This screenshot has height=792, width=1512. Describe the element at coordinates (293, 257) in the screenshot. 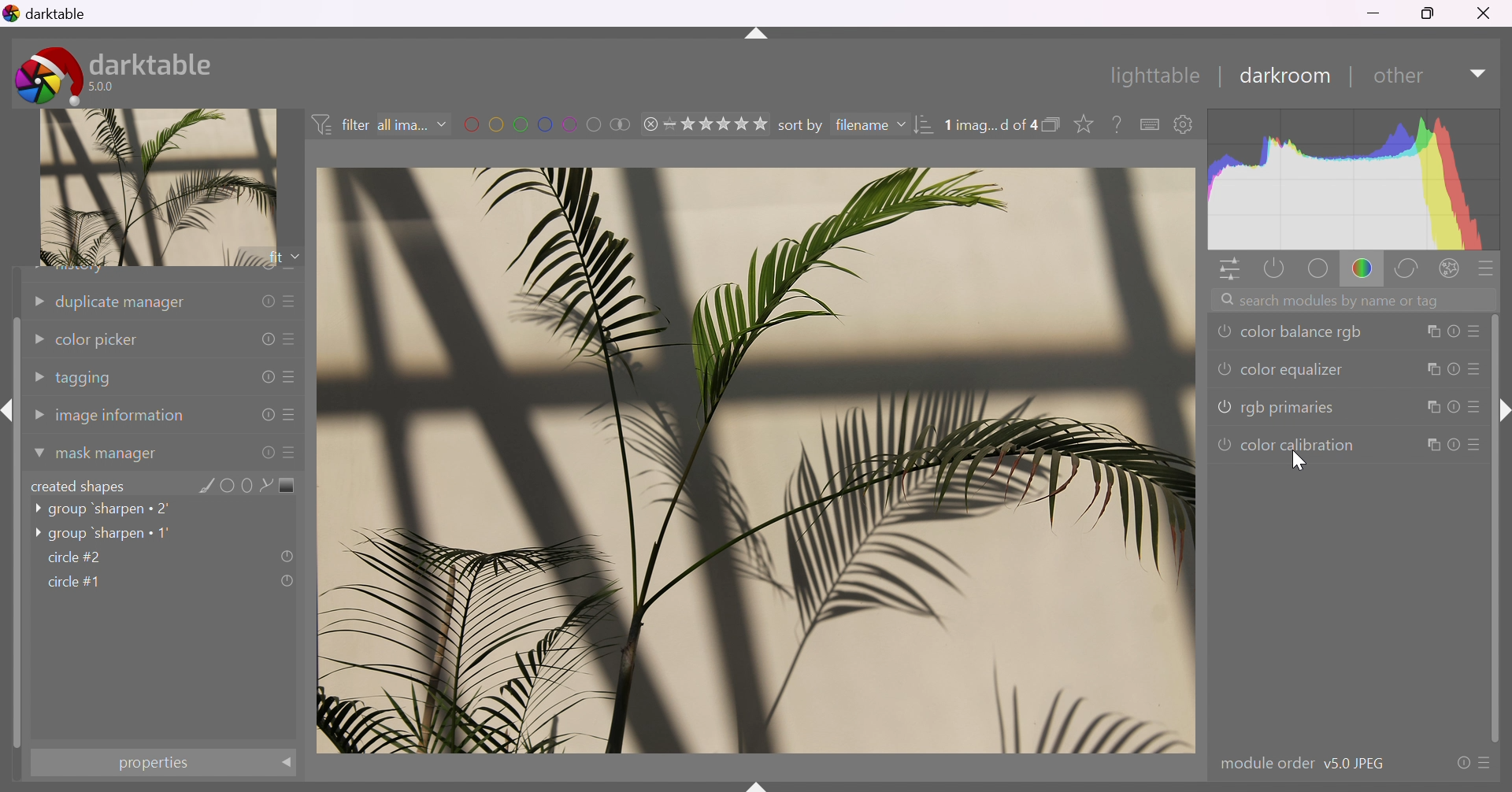

I see `drop down` at that location.